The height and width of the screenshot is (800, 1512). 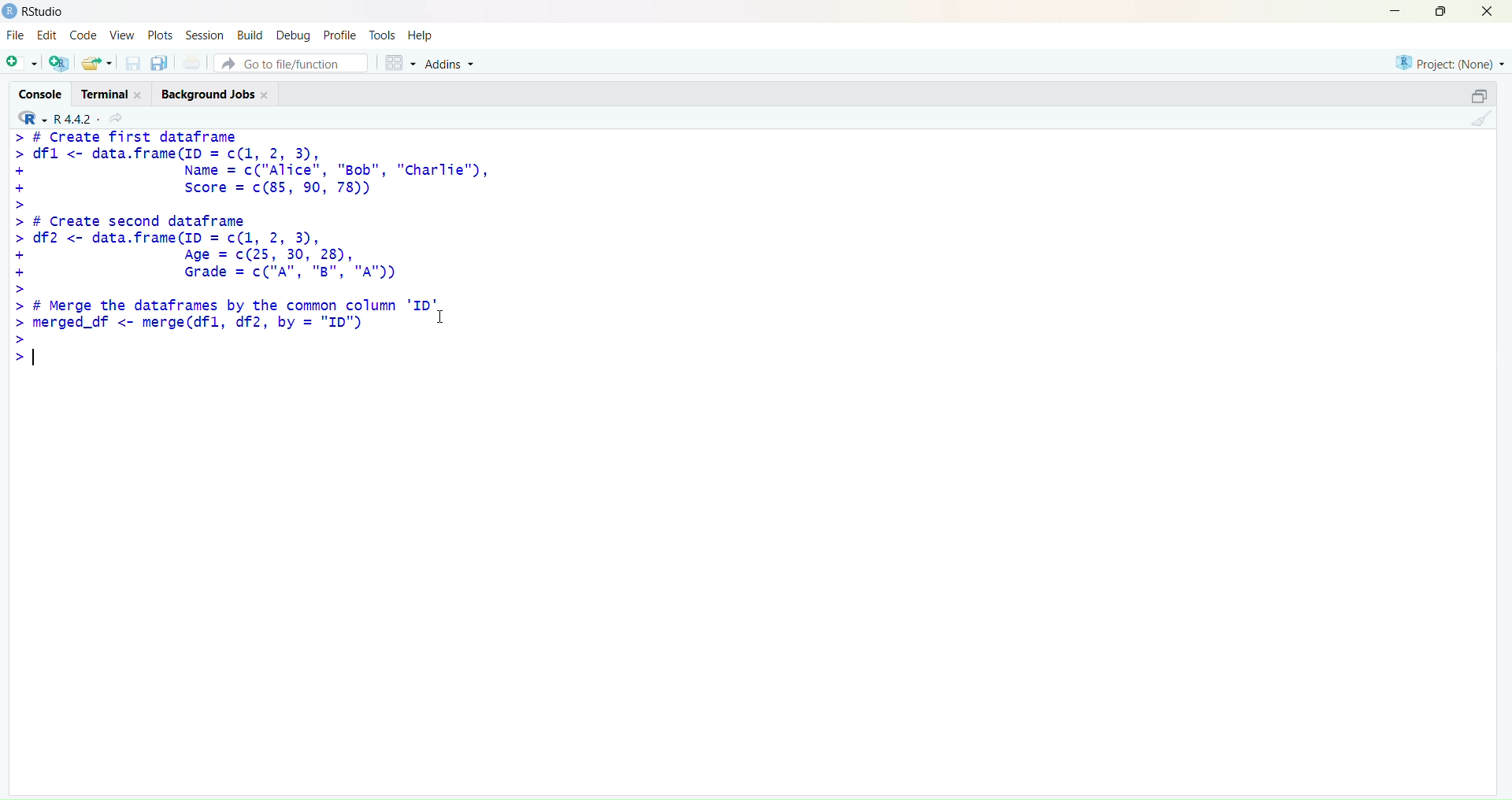 I want to click on Session, so click(x=206, y=35).